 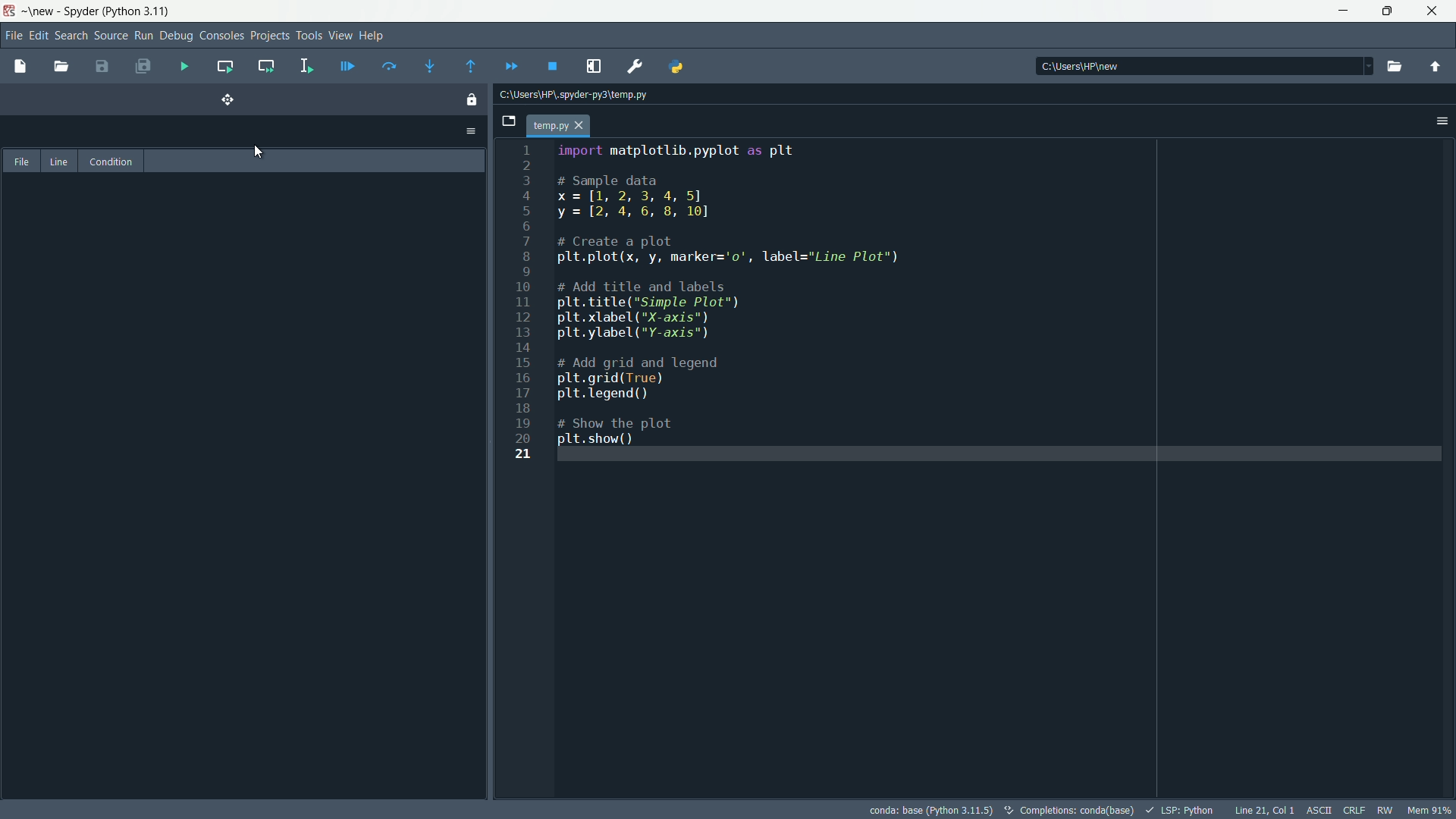 What do you see at coordinates (41, 11) in the screenshot?
I see `new` at bounding box center [41, 11].